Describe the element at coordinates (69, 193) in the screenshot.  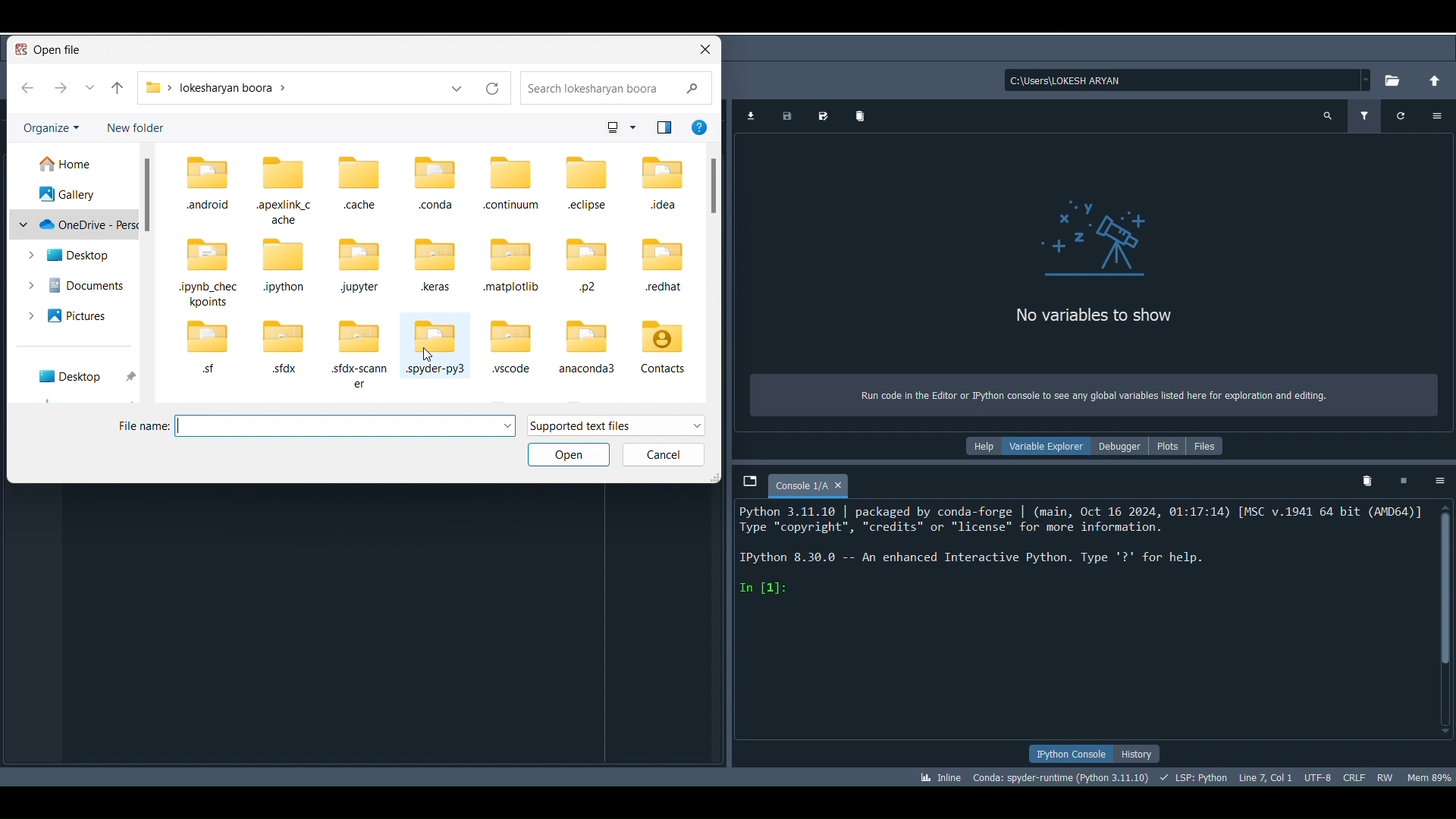
I see `Gallery` at that location.